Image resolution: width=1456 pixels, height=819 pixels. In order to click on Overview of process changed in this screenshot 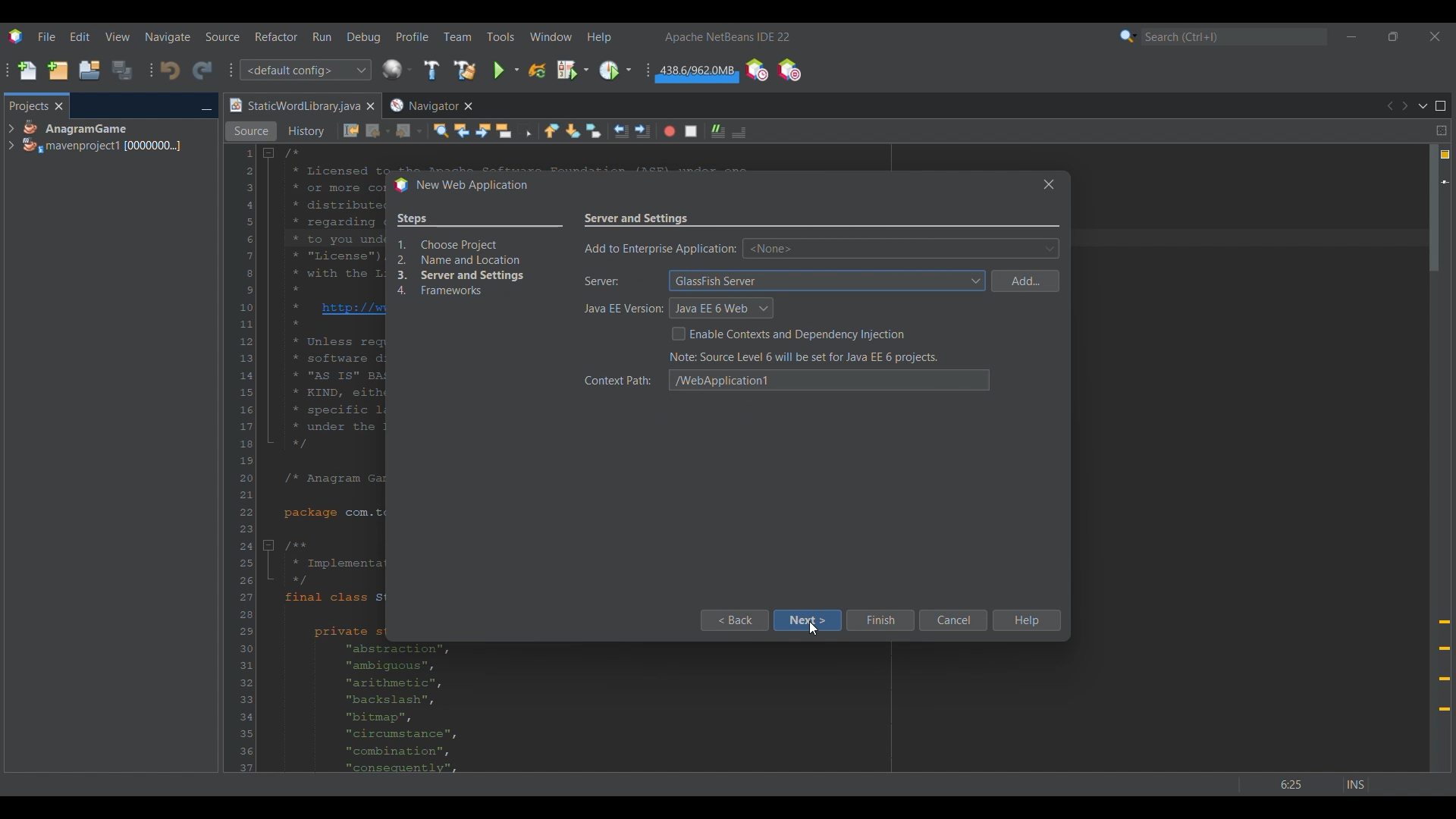, I will do `click(475, 253)`.